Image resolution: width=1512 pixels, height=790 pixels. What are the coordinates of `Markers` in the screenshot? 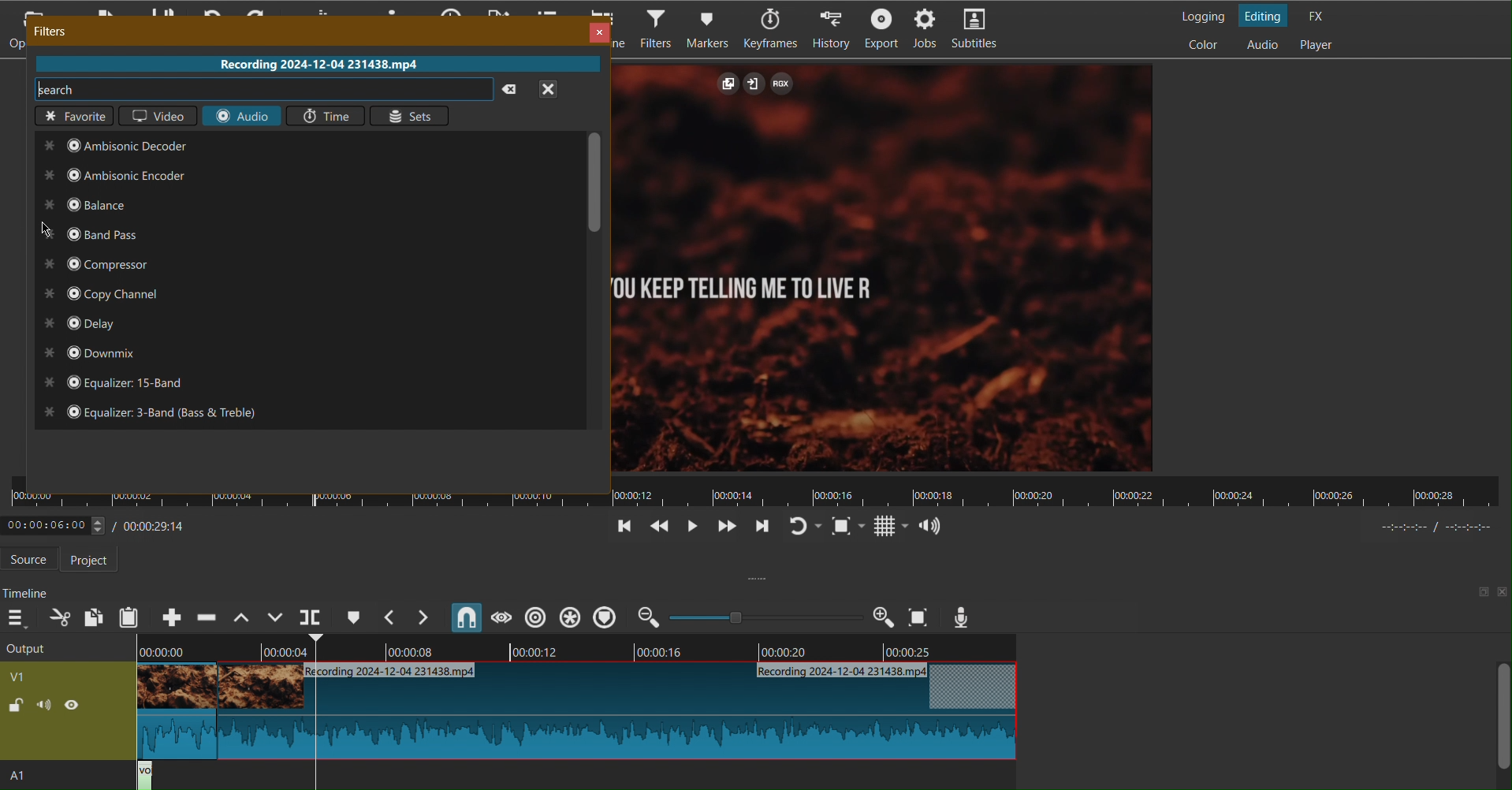 It's located at (712, 28).